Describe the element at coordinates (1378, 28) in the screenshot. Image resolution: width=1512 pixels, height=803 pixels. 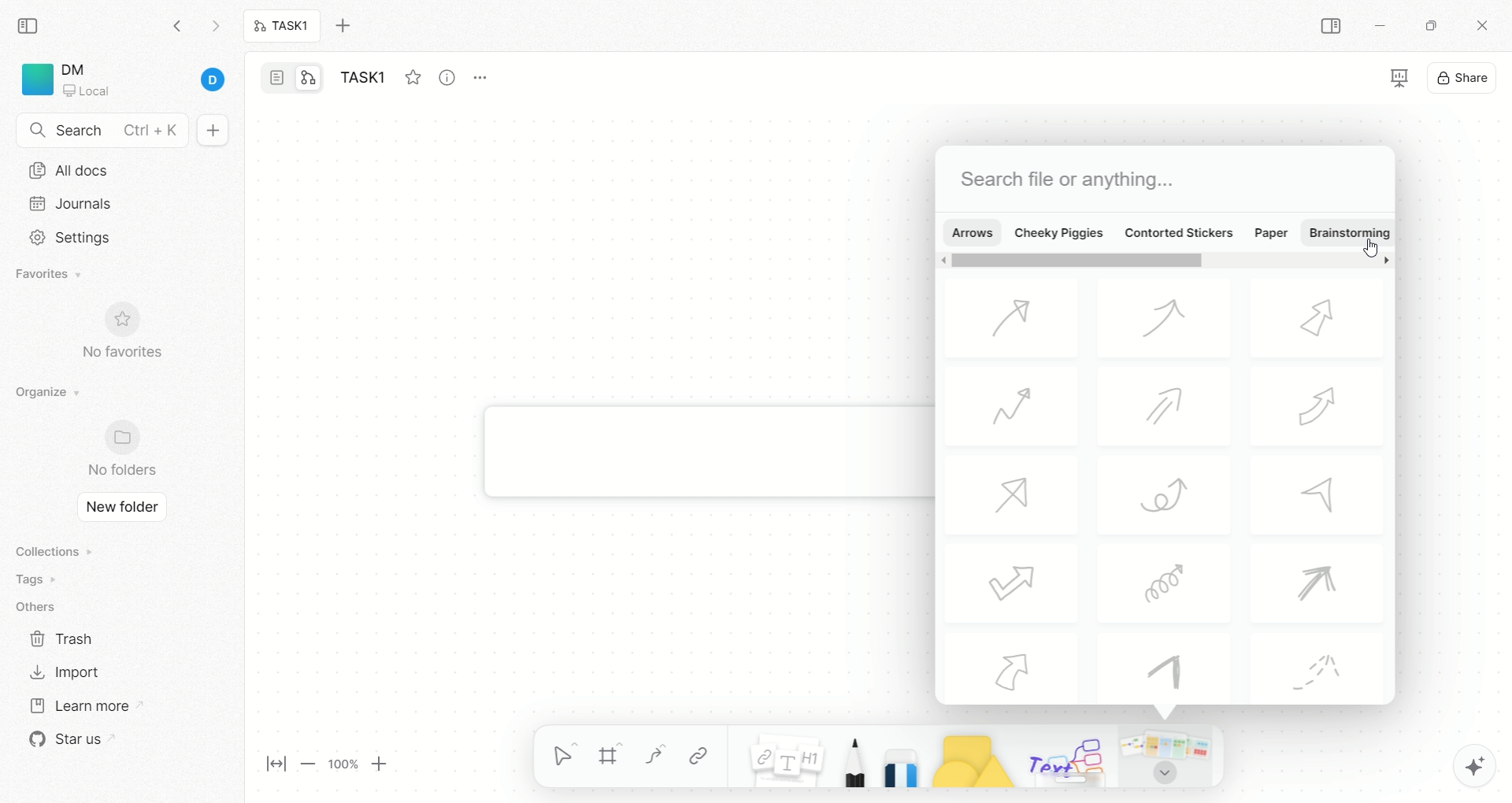
I see `minimize` at that location.